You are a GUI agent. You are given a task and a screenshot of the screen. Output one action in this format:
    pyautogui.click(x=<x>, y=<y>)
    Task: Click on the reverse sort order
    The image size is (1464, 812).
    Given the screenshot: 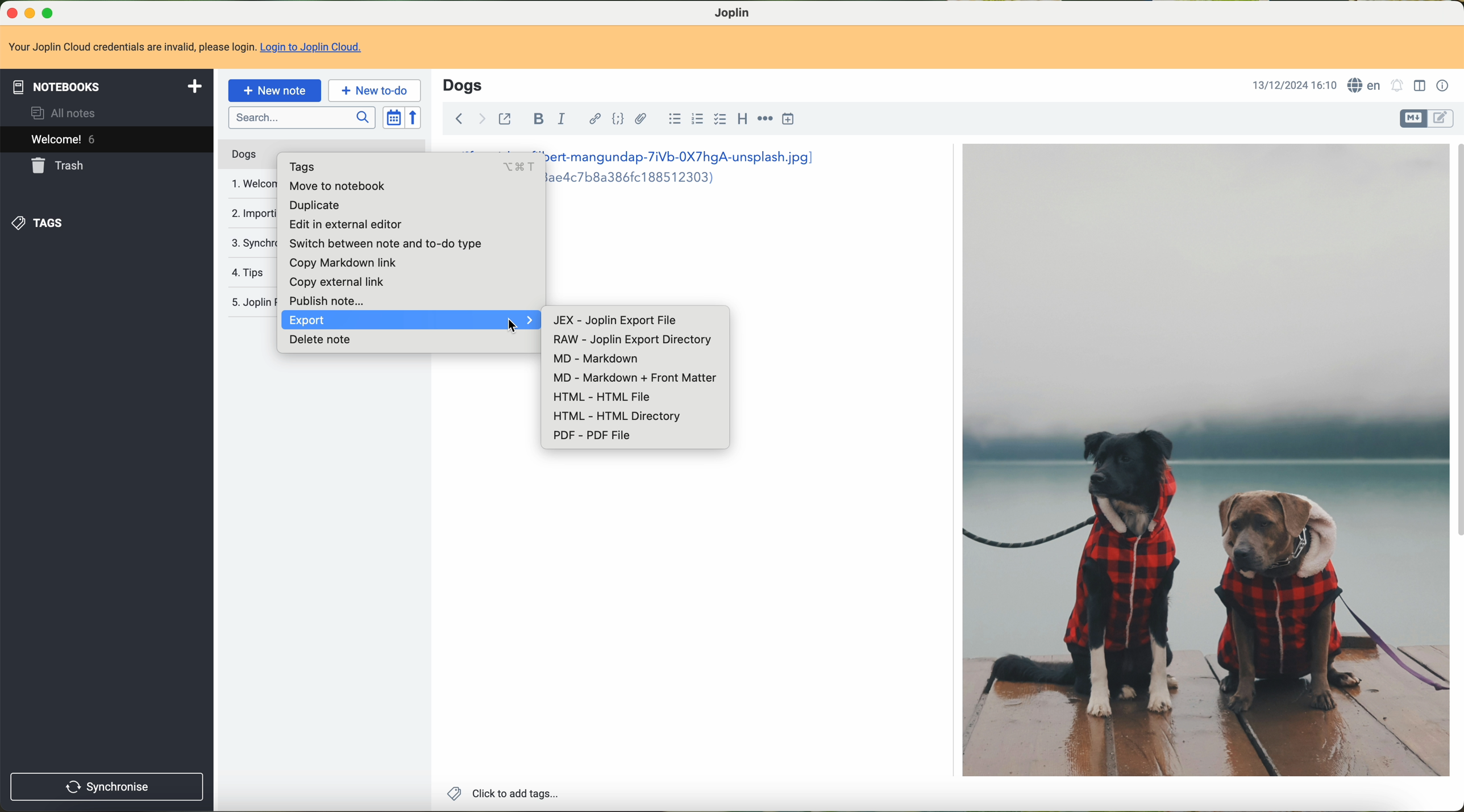 What is the action you would take?
    pyautogui.click(x=415, y=118)
    